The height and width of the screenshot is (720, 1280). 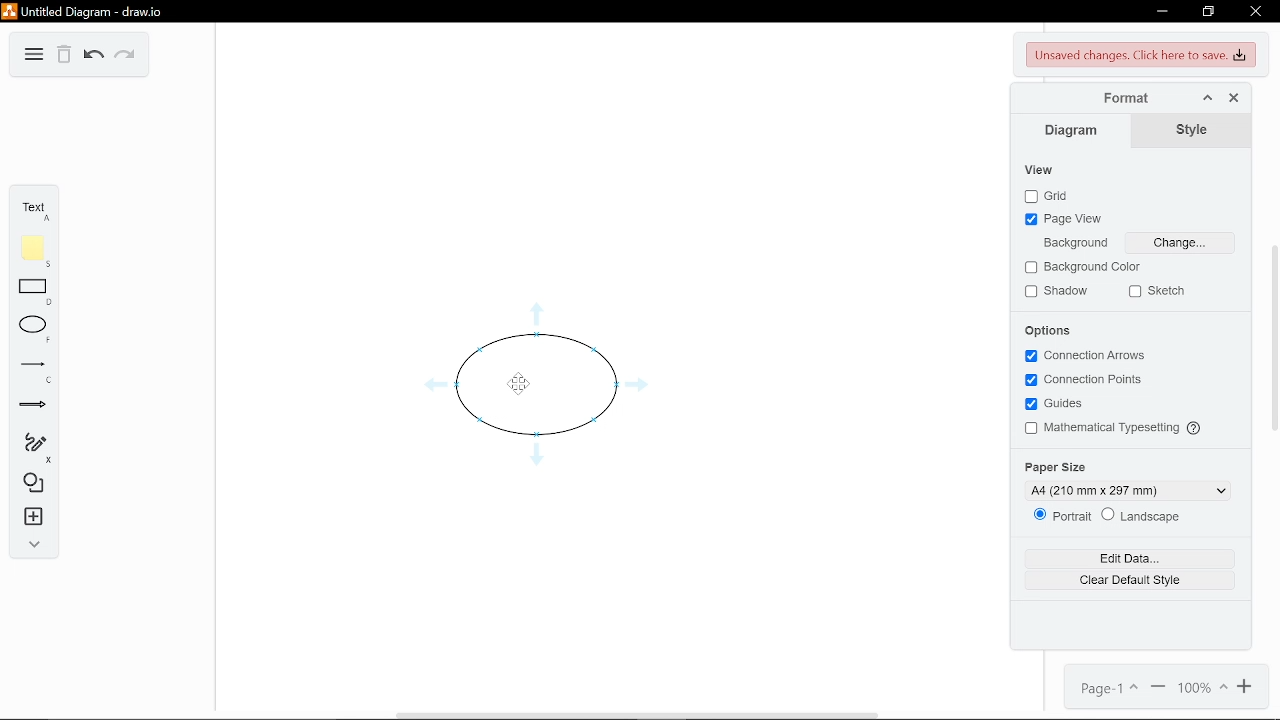 I want to click on Edit data, so click(x=1134, y=557).